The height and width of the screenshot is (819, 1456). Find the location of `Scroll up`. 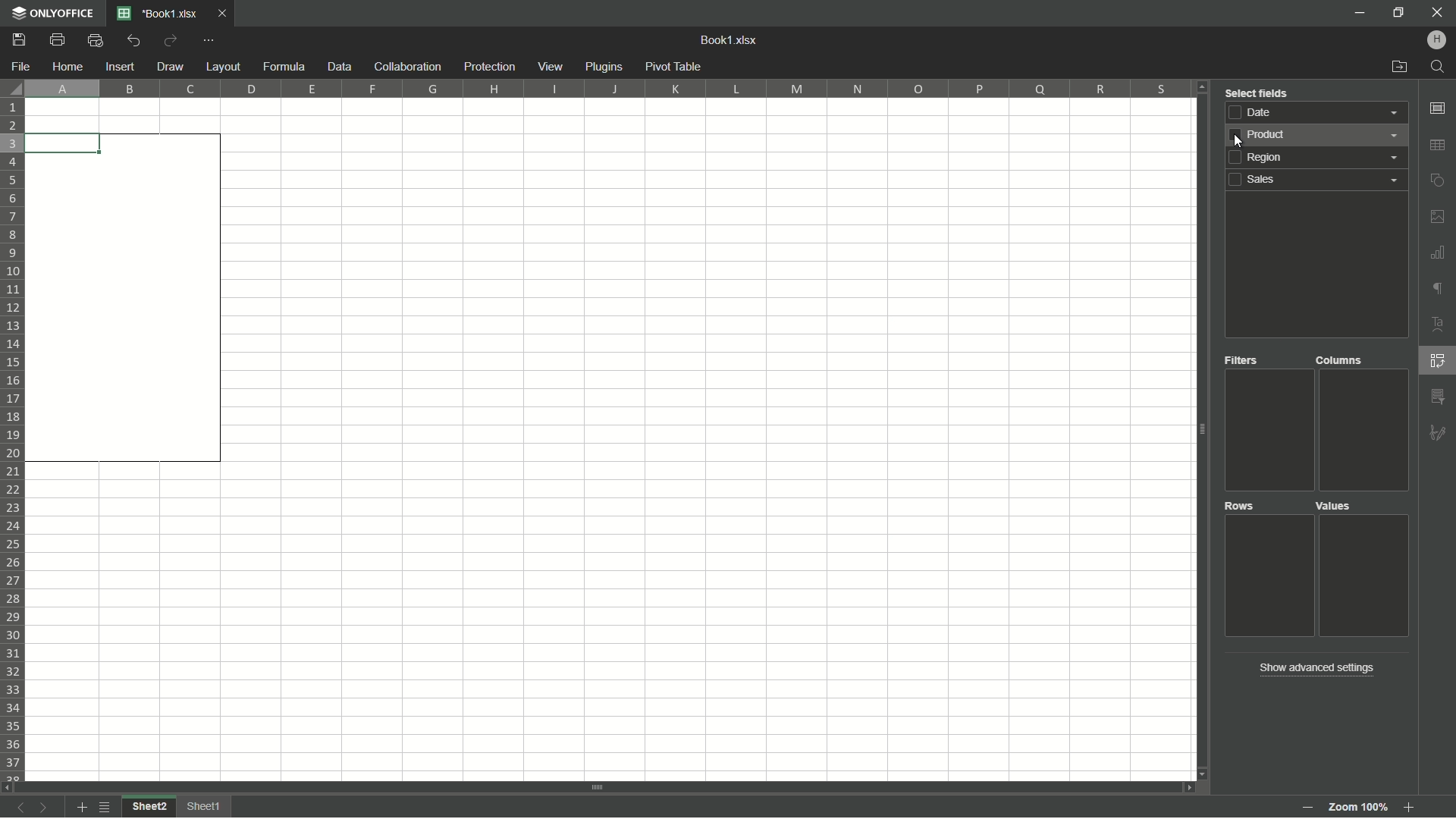

Scroll up is located at coordinates (1203, 88).